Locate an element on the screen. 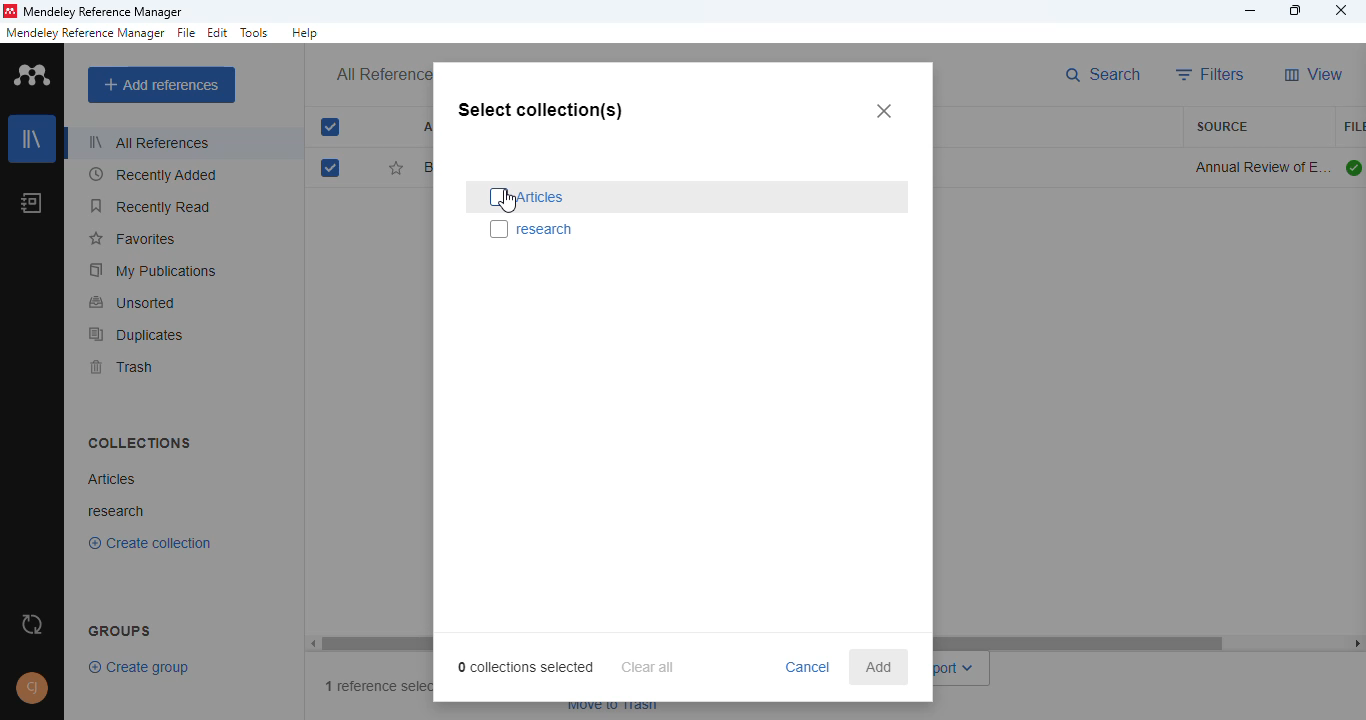 This screenshot has height=720, width=1366. source is located at coordinates (1222, 126).